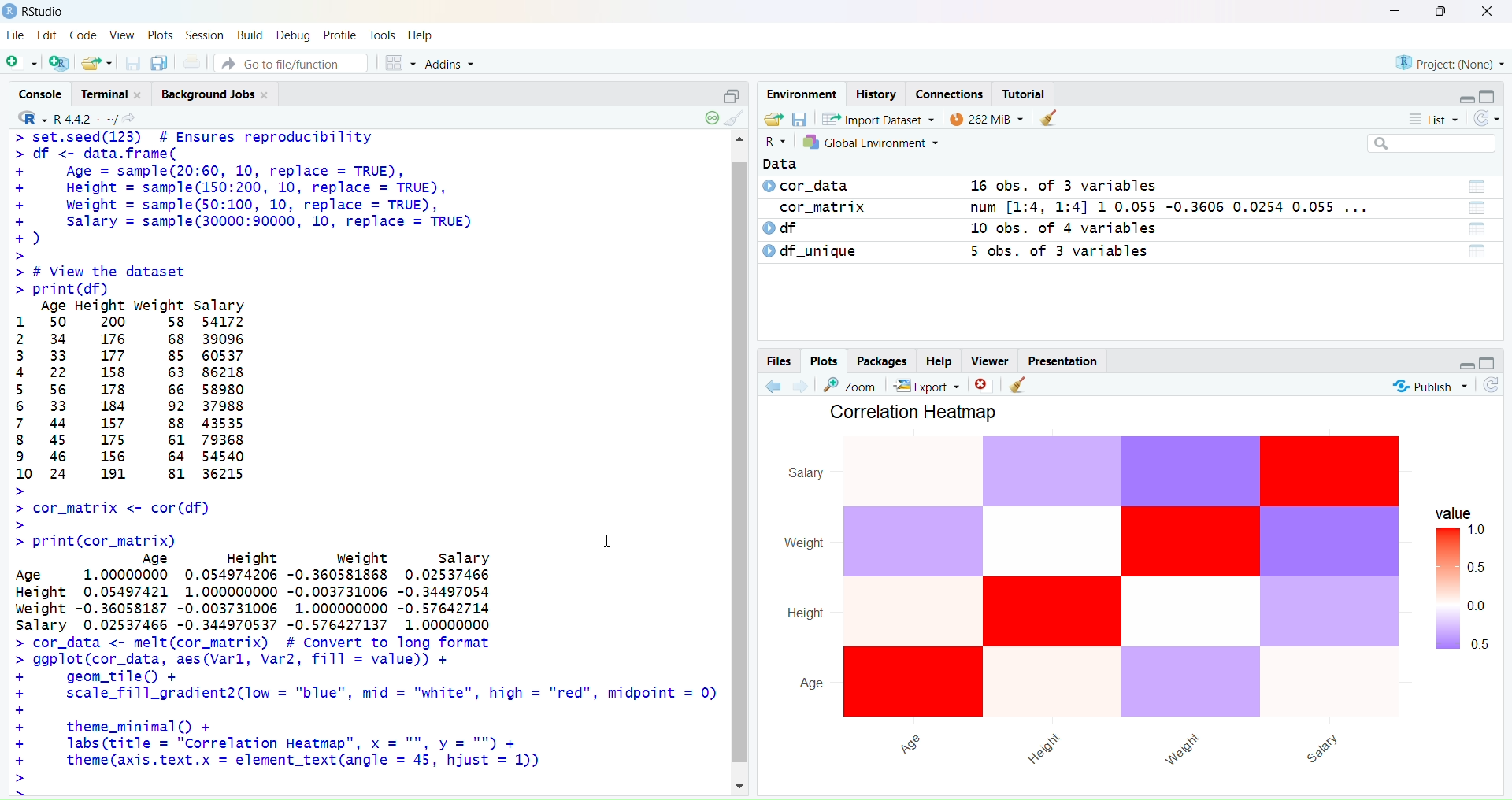 Image resolution: width=1512 pixels, height=800 pixels. What do you see at coordinates (871, 142) in the screenshot?
I see `Global environment` at bounding box center [871, 142].